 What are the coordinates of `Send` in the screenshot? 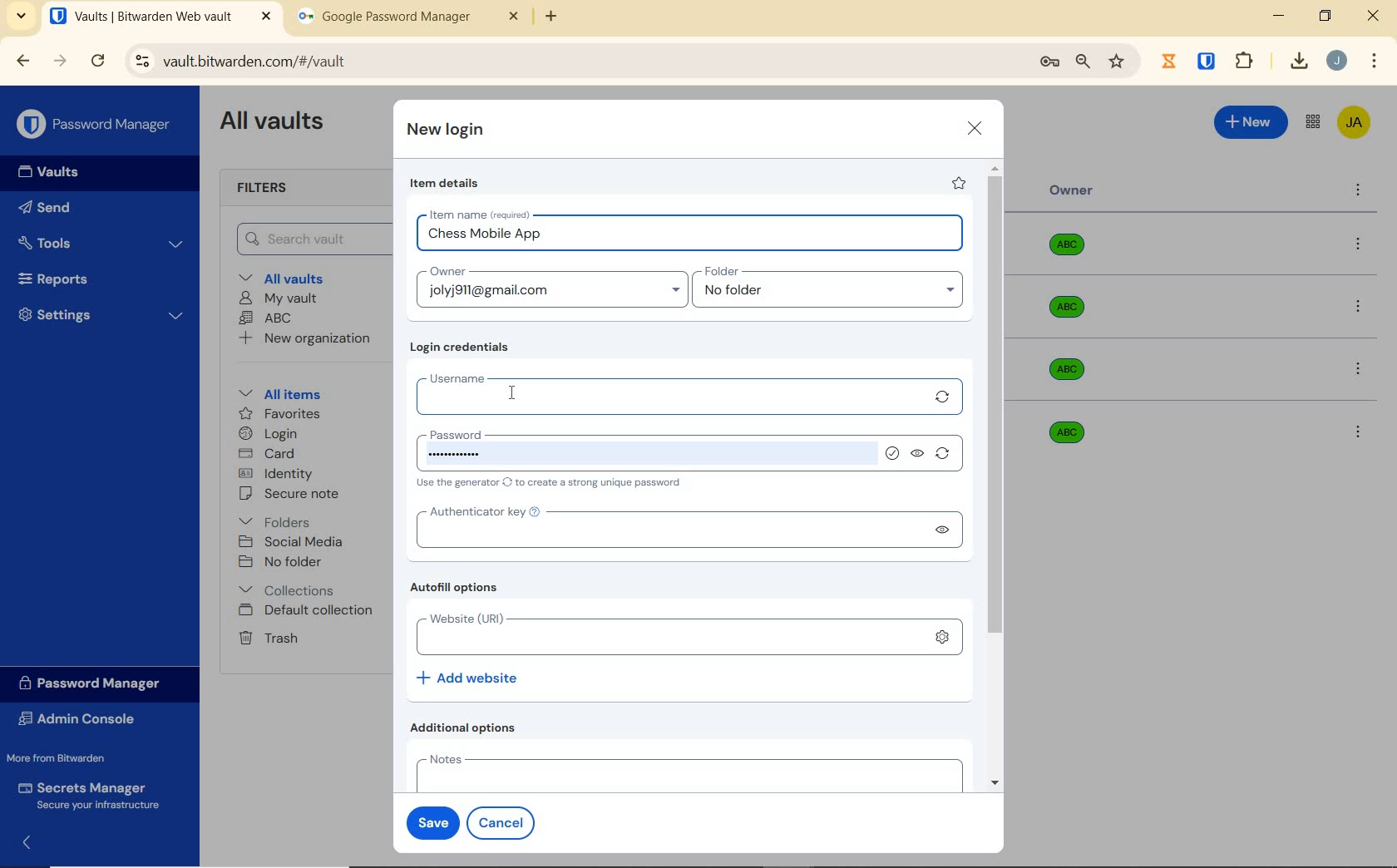 It's located at (45, 210).